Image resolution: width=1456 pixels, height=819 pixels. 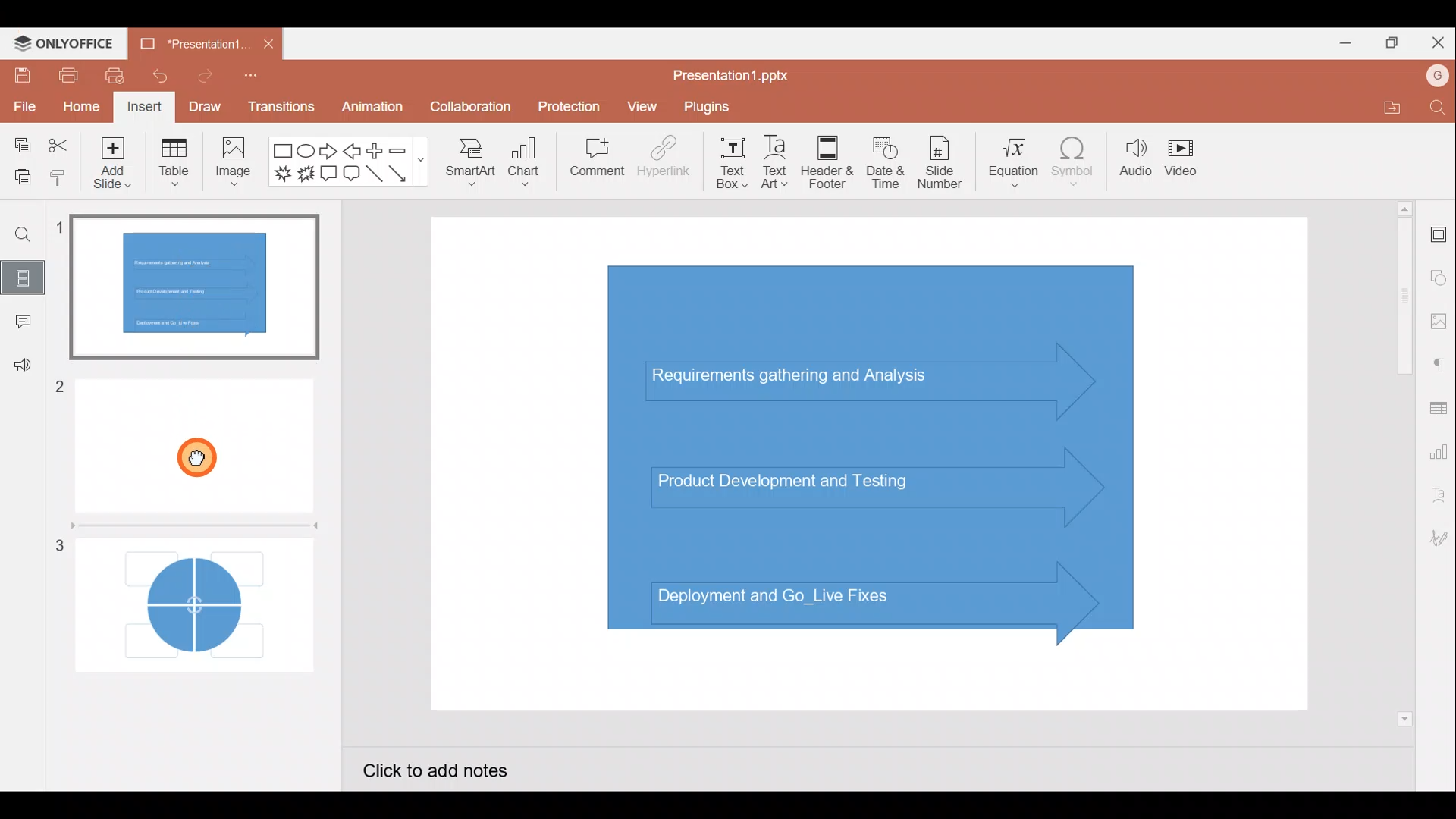 What do you see at coordinates (1441, 365) in the screenshot?
I see `Paragraph settings` at bounding box center [1441, 365].